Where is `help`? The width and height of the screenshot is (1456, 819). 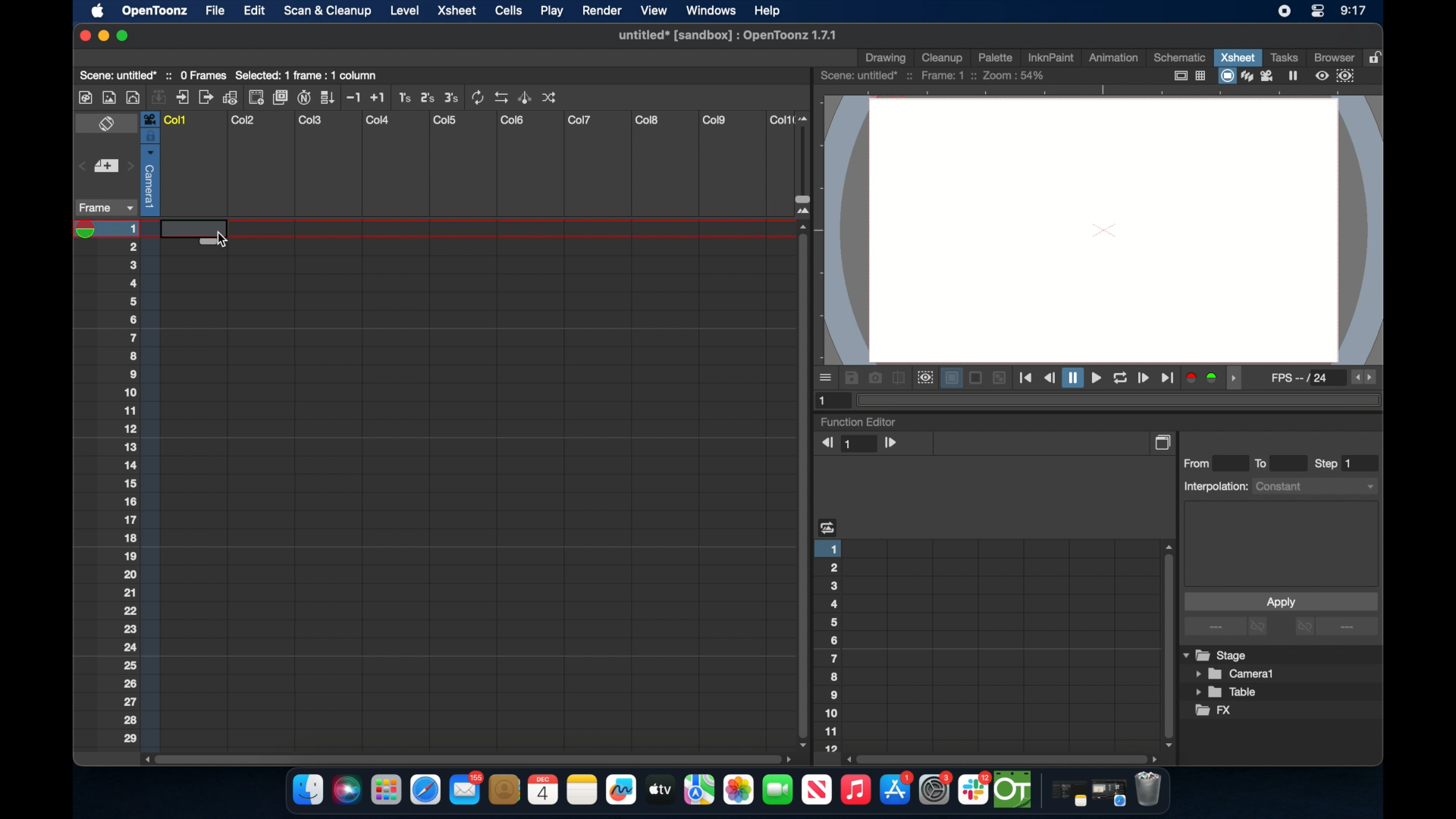
help is located at coordinates (765, 9).